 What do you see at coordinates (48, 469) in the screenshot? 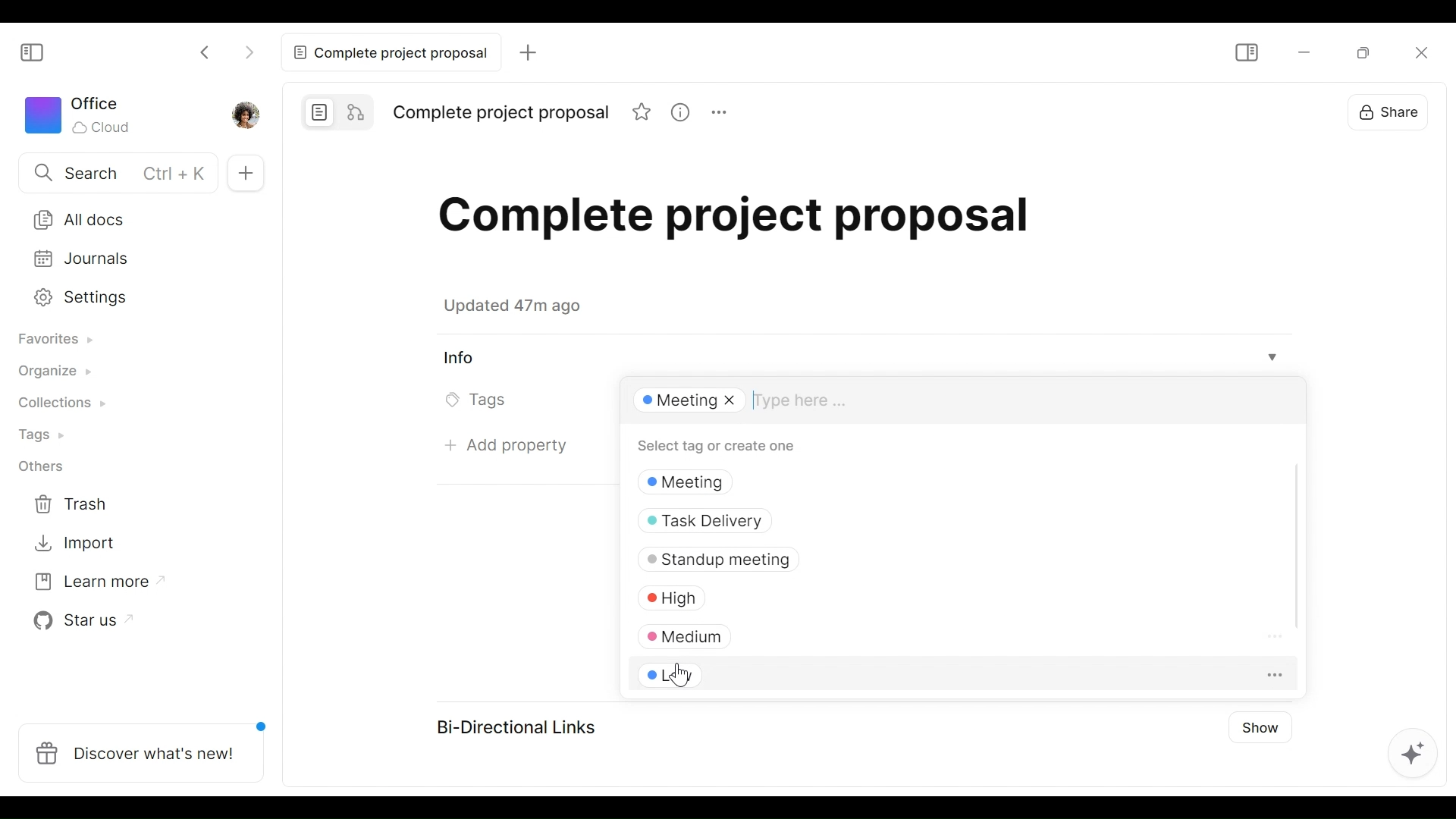
I see `Others` at bounding box center [48, 469].